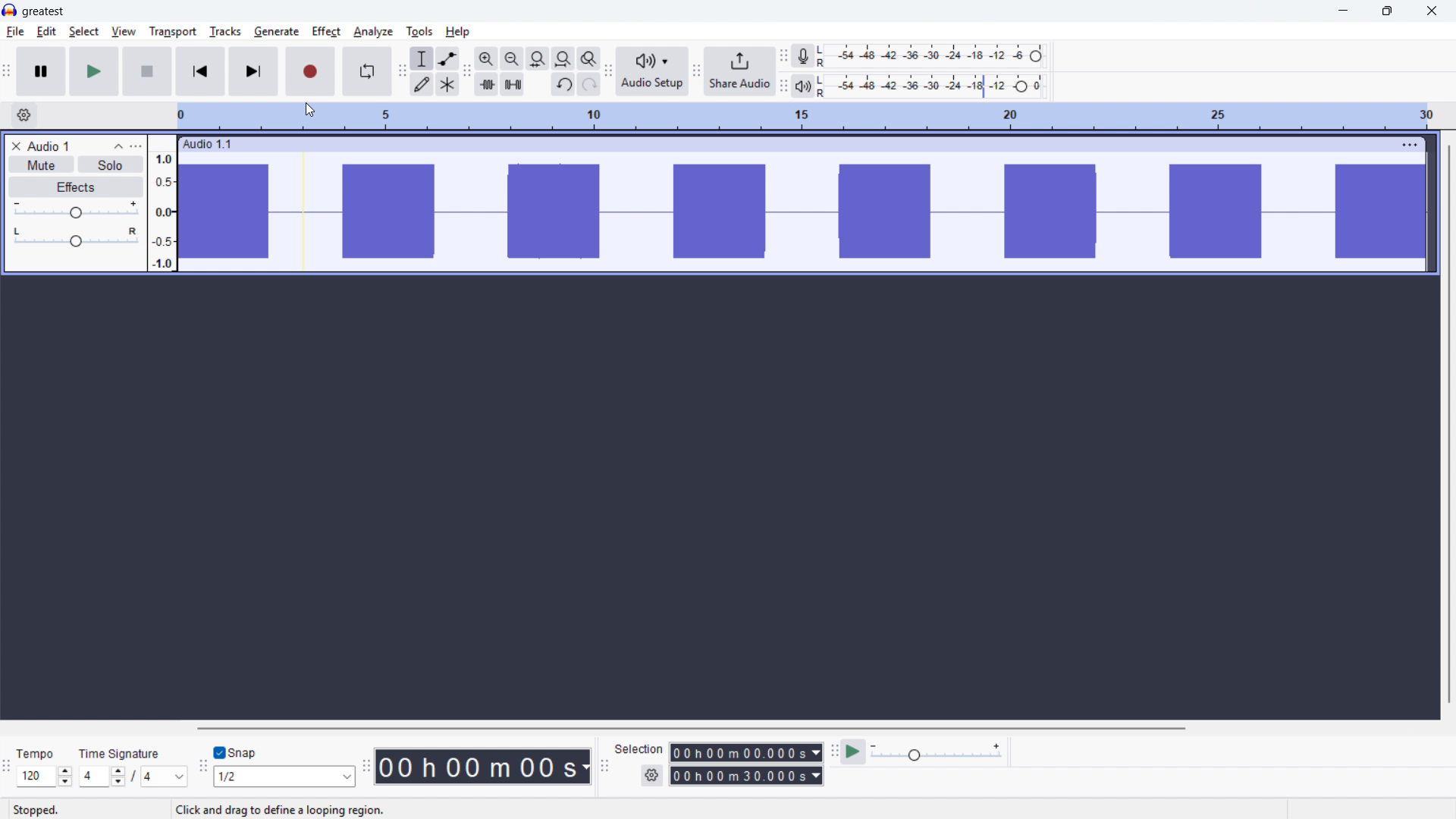 The width and height of the screenshot is (1456, 819). Describe the element at coordinates (43, 11) in the screenshot. I see `greatest` at that location.